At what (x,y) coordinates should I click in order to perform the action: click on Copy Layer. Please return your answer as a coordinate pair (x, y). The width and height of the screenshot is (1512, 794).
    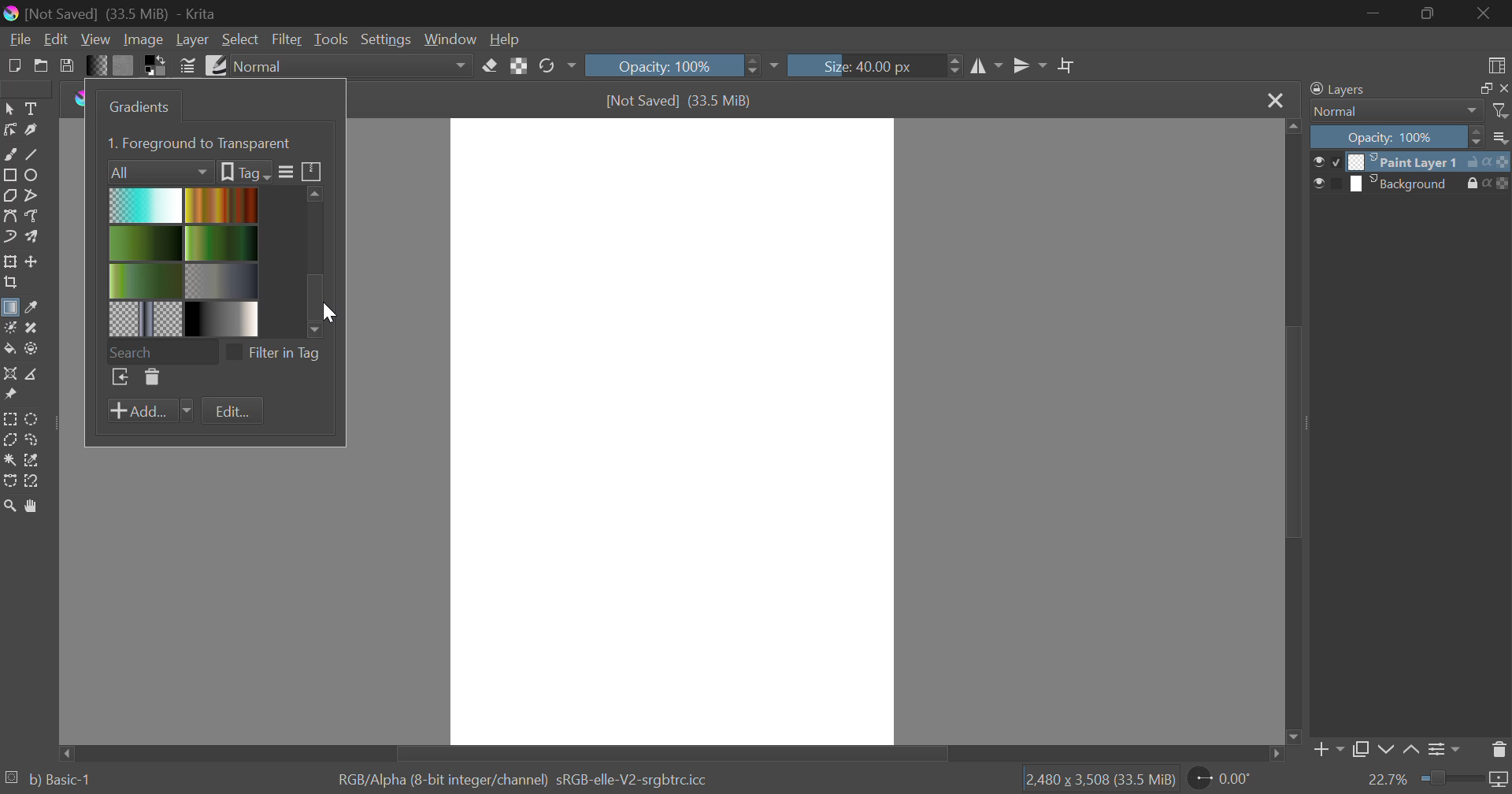
    Looking at the image, I should click on (1361, 752).